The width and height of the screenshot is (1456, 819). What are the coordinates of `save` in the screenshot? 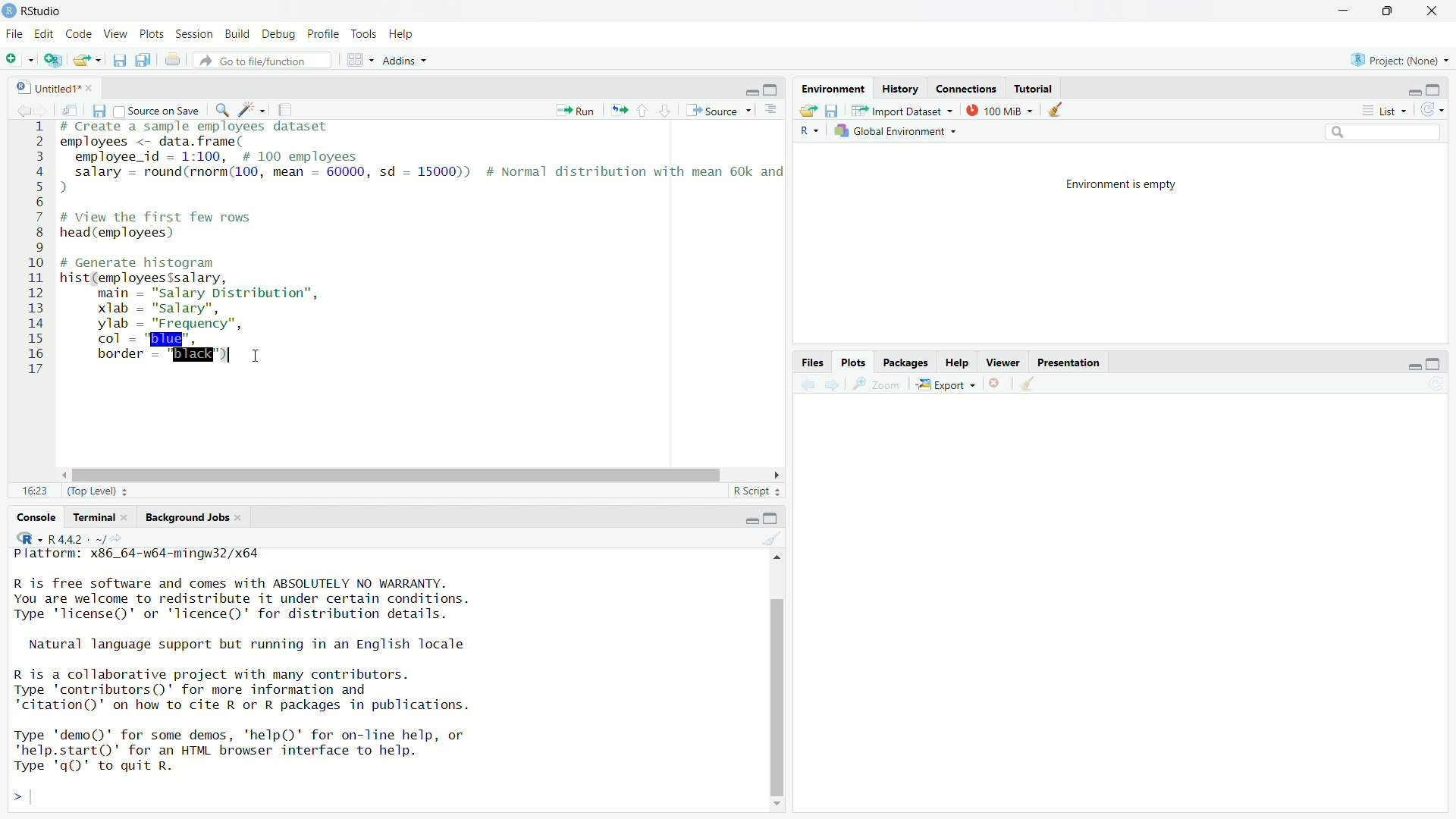 It's located at (831, 111).